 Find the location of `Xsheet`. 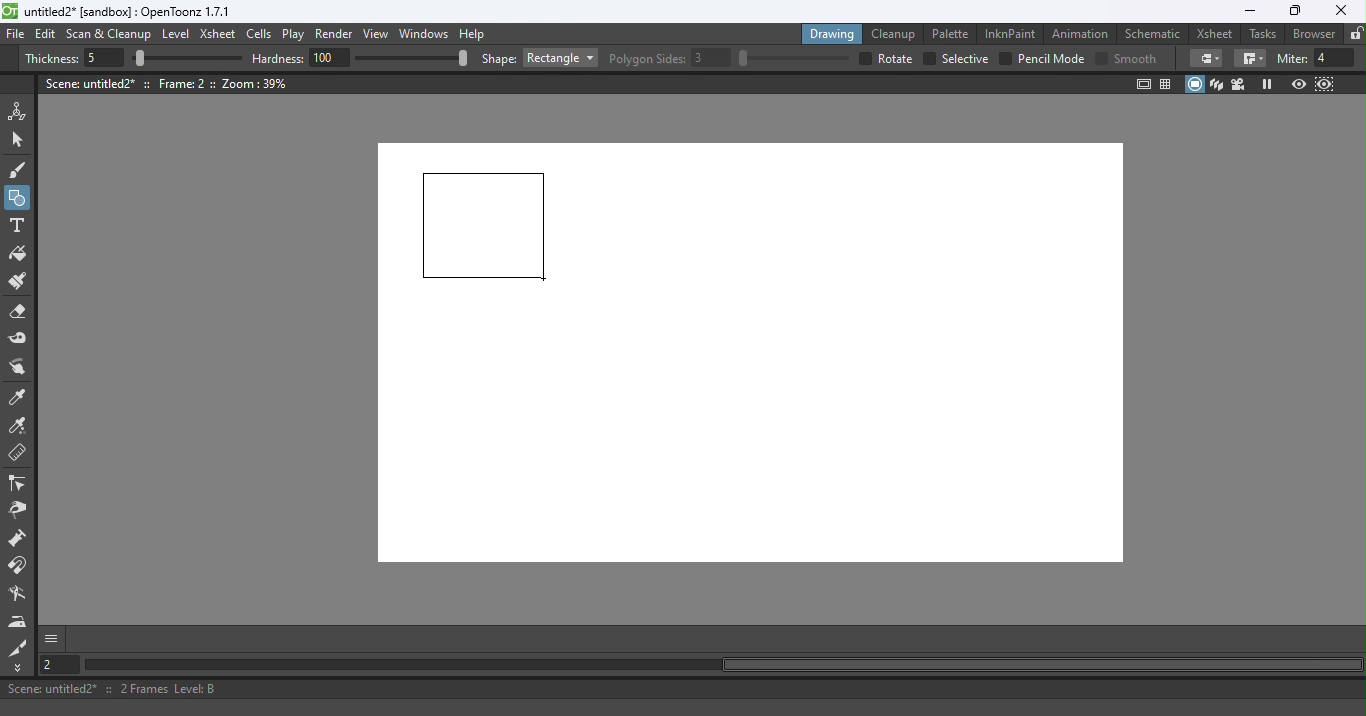

Xsheet is located at coordinates (220, 36).